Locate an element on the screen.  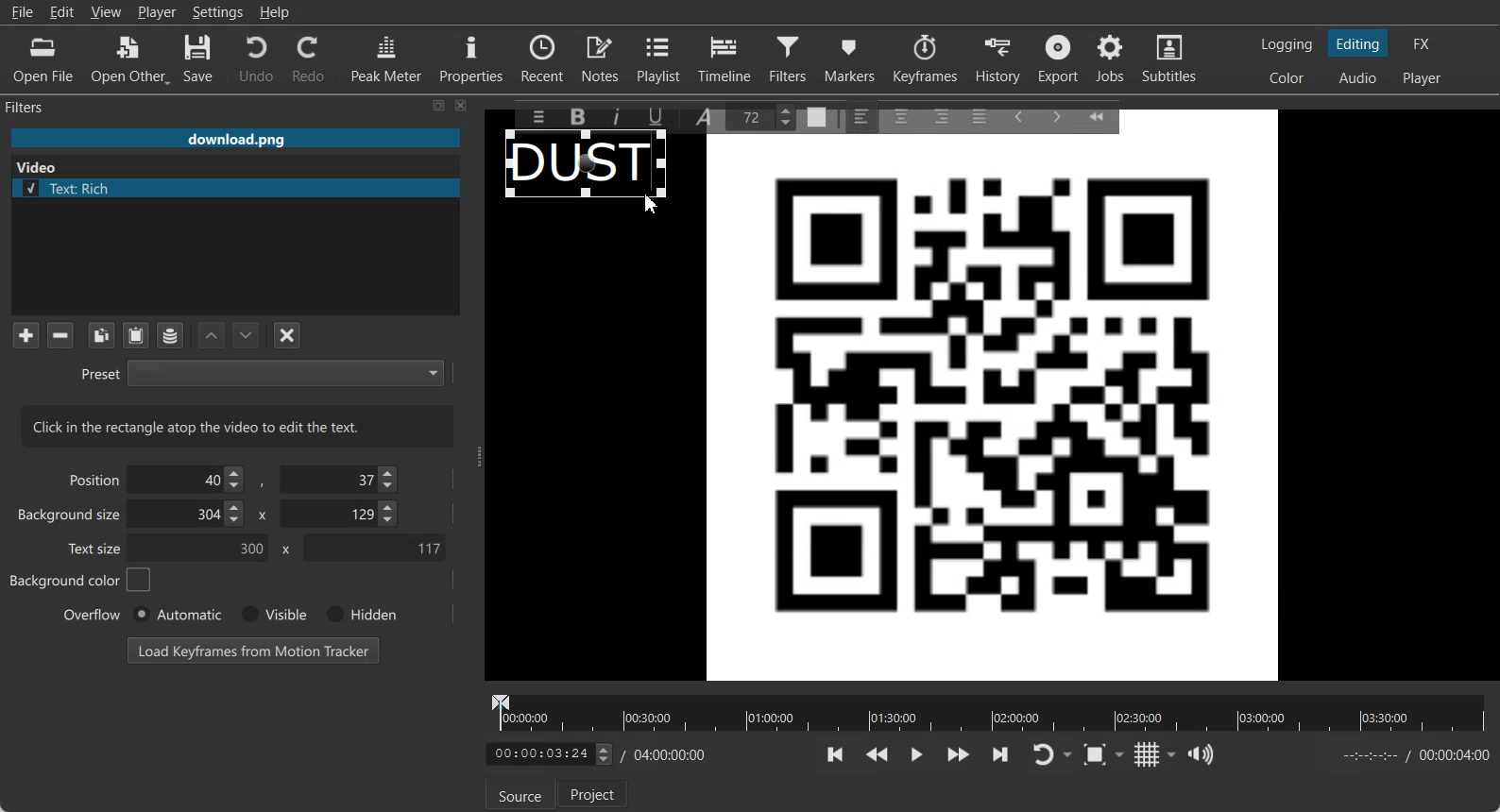
Source is located at coordinates (516, 795).